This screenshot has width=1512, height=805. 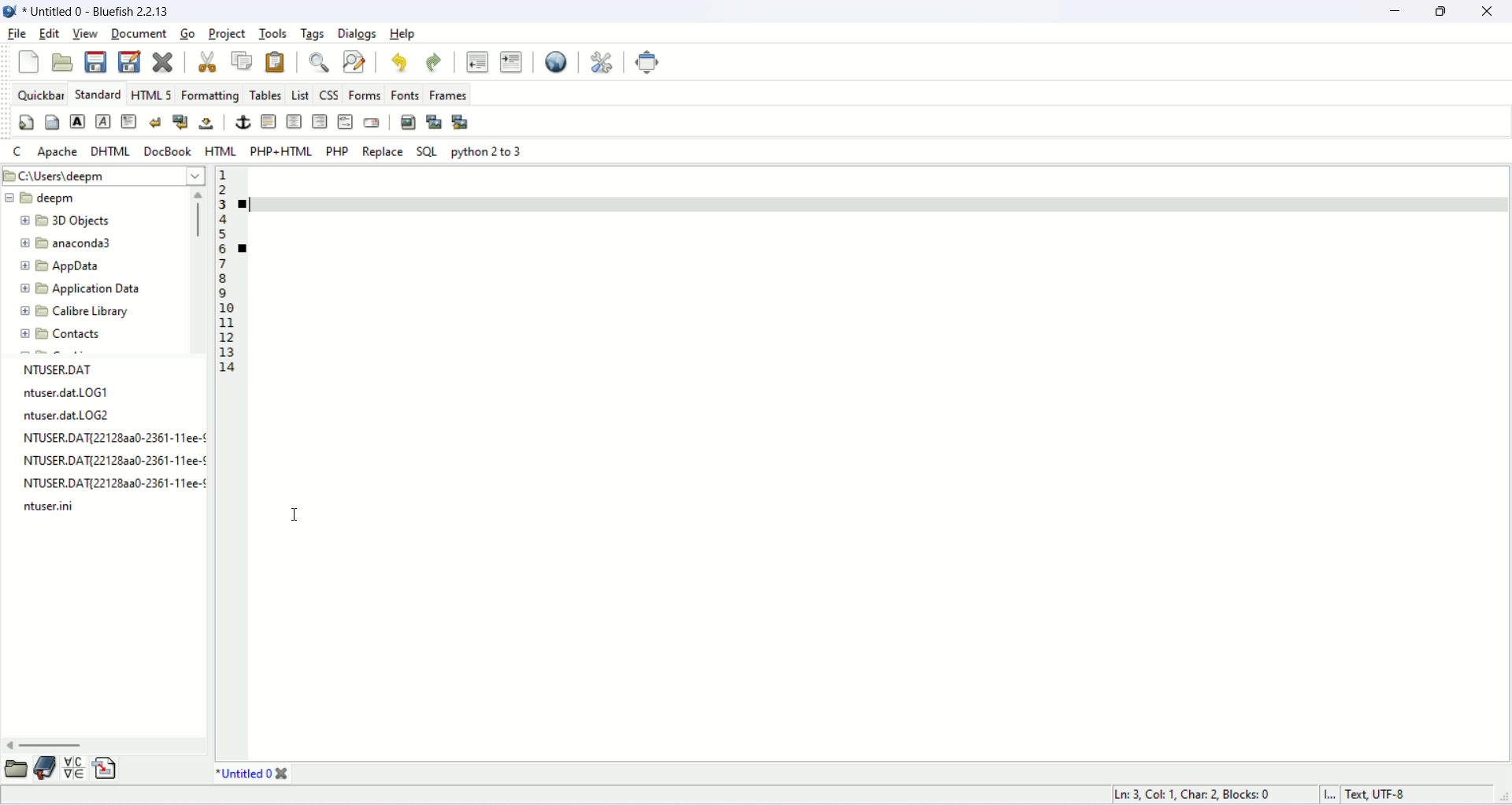 I want to click on PHP+HTML, so click(x=281, y=150).